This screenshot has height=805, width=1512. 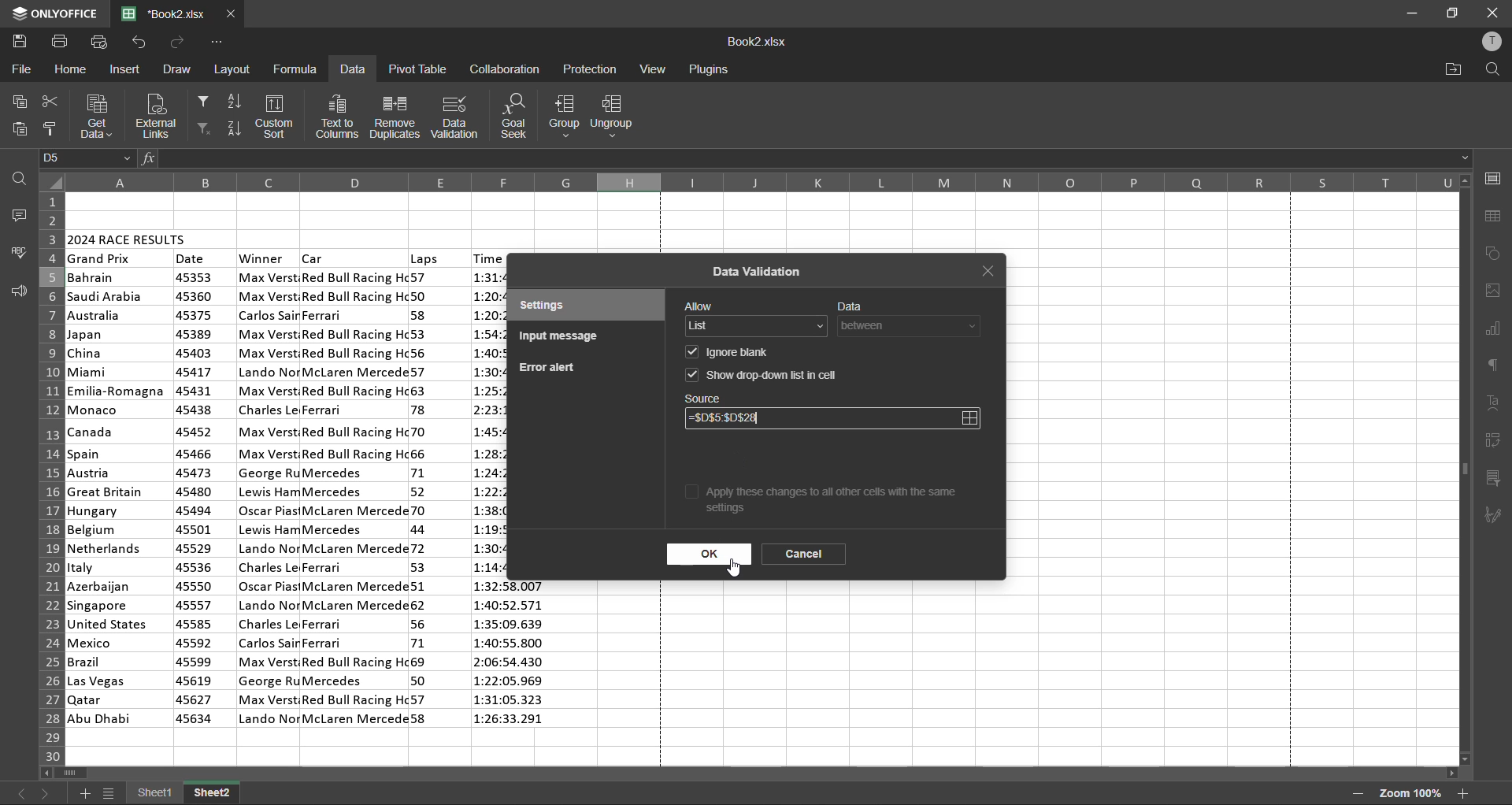 What do you see at coordinates (235, 70) in the screenshot?
I see `layout` at bounding box center [235, 70].